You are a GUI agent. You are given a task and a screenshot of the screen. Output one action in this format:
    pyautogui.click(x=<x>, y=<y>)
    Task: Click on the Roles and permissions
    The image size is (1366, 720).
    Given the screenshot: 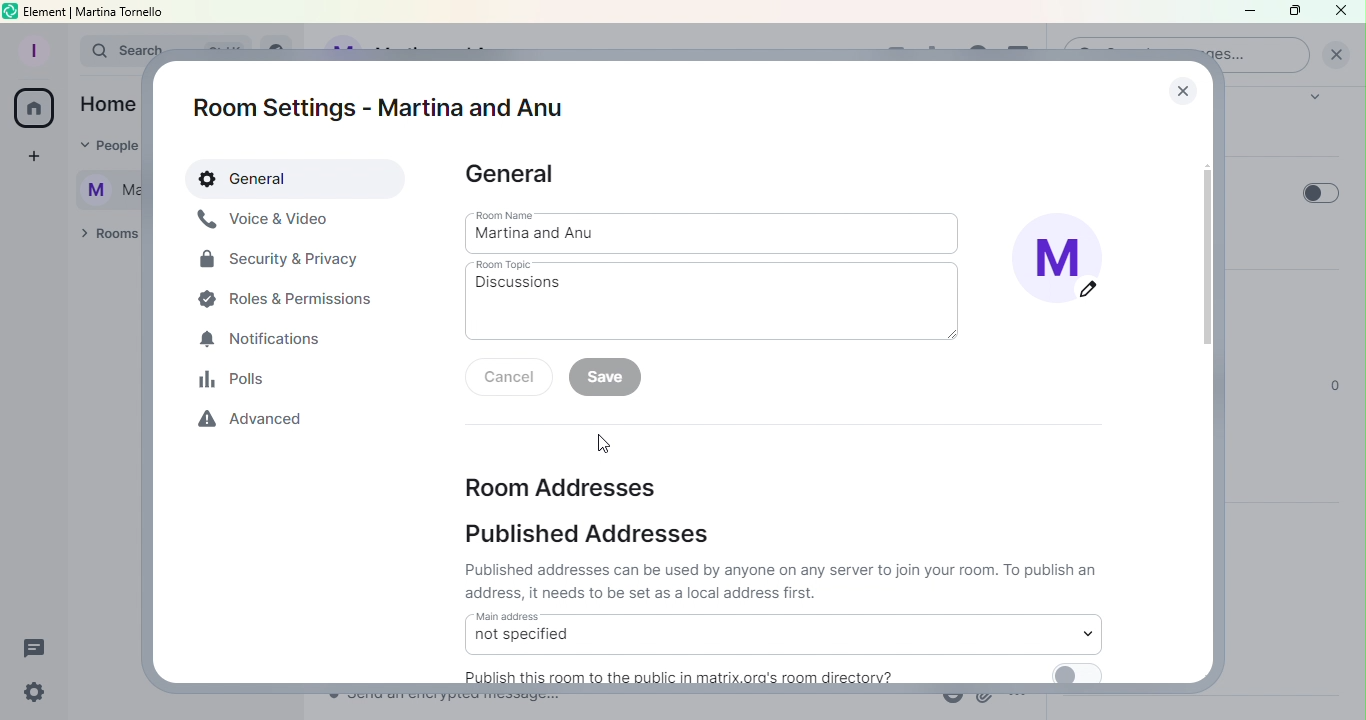 What is the action you would take?
    pyautogui.click(x=291, y=298)
    